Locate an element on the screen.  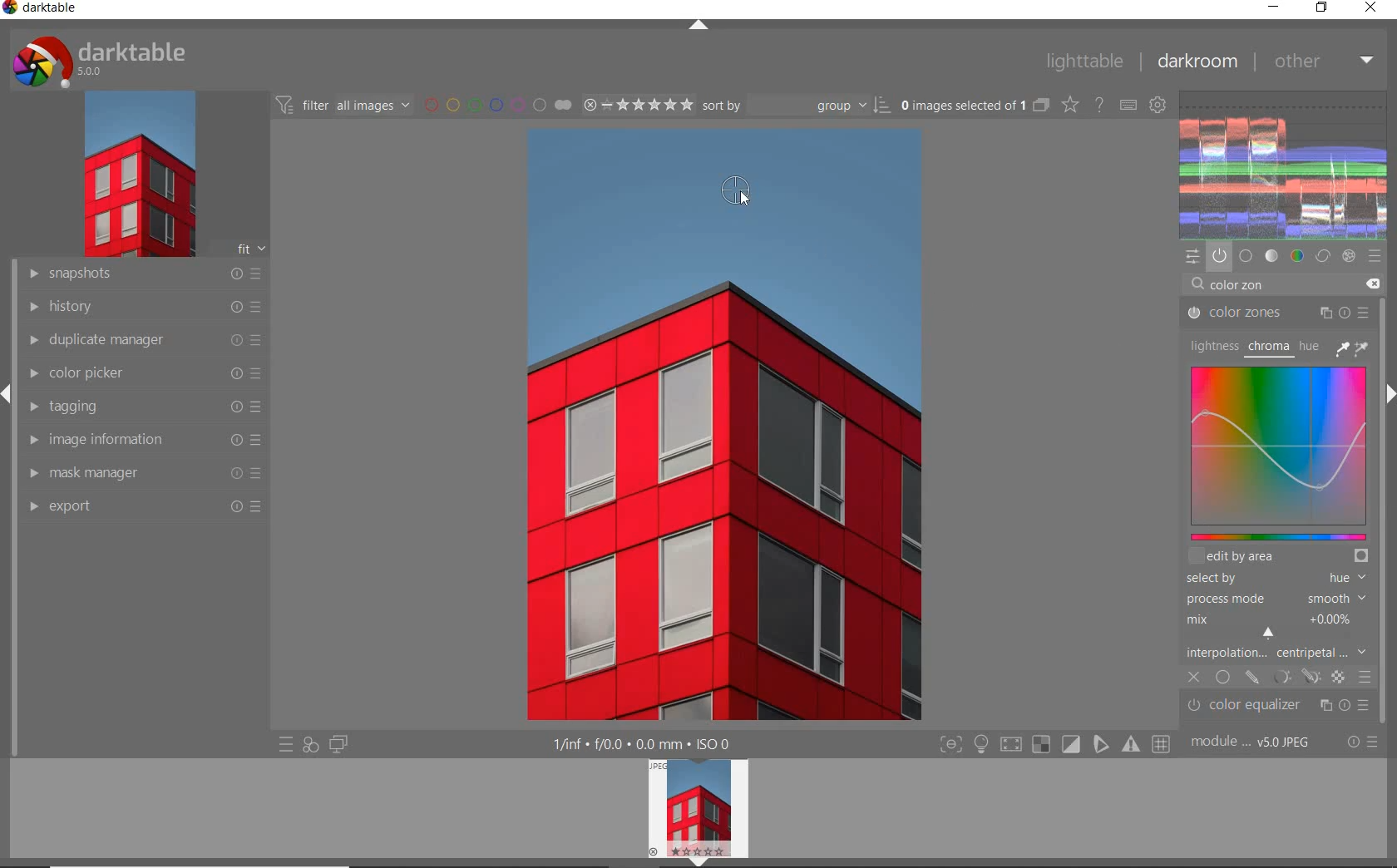
focus is located at coordinates (950, 745).